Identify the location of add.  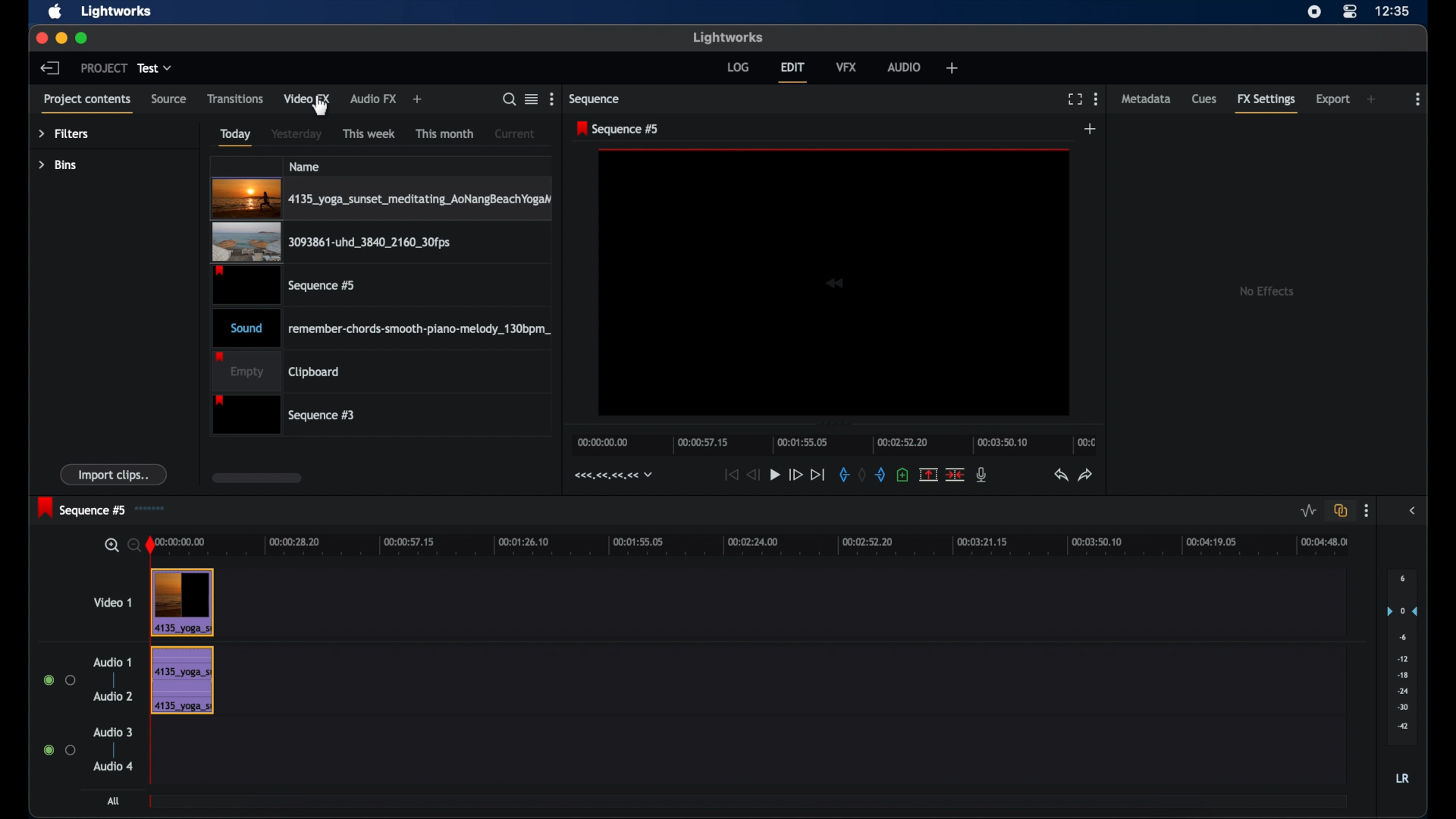
(1091, 130).